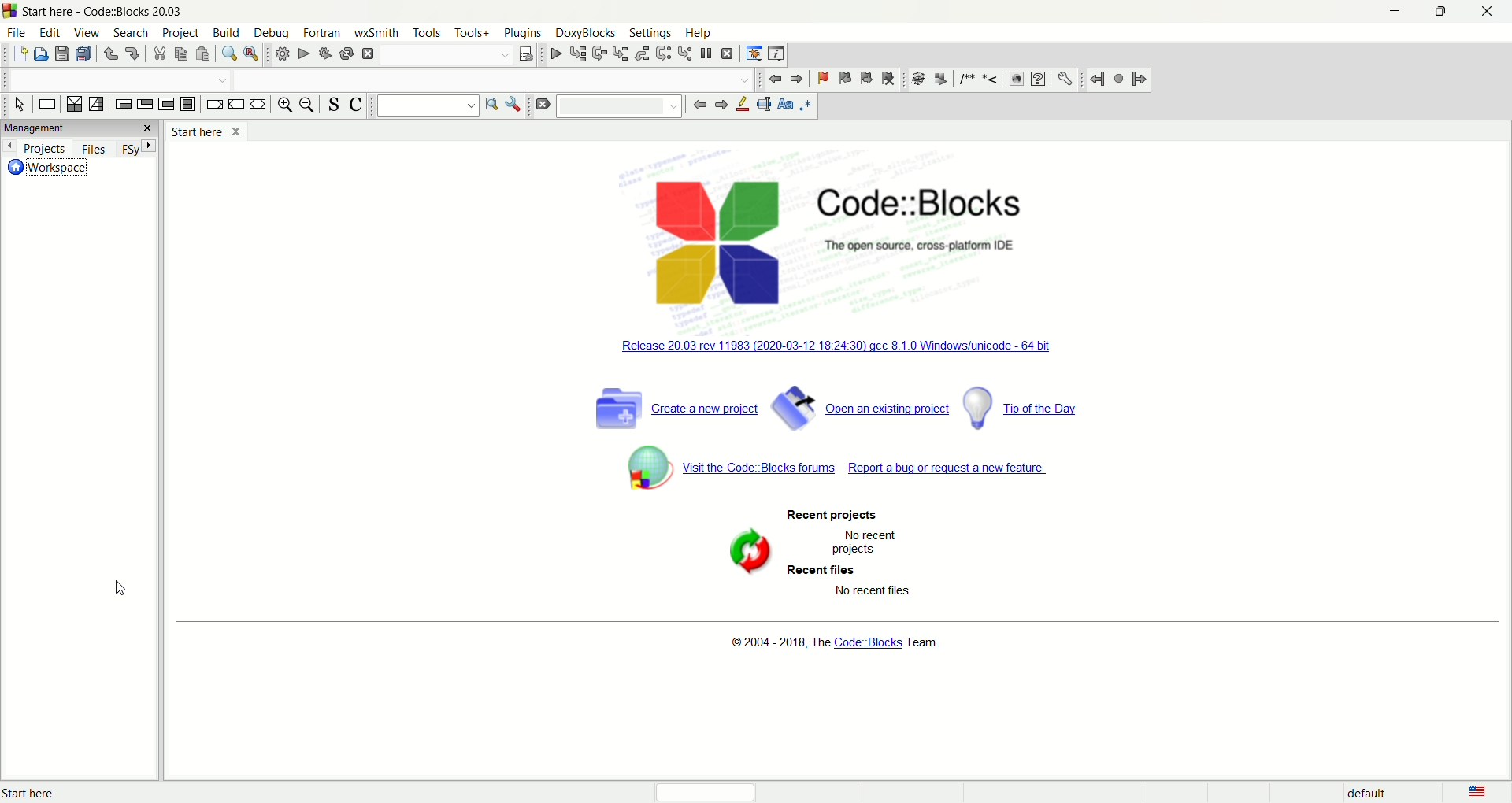  I want to click on clear, so click(541, 105).